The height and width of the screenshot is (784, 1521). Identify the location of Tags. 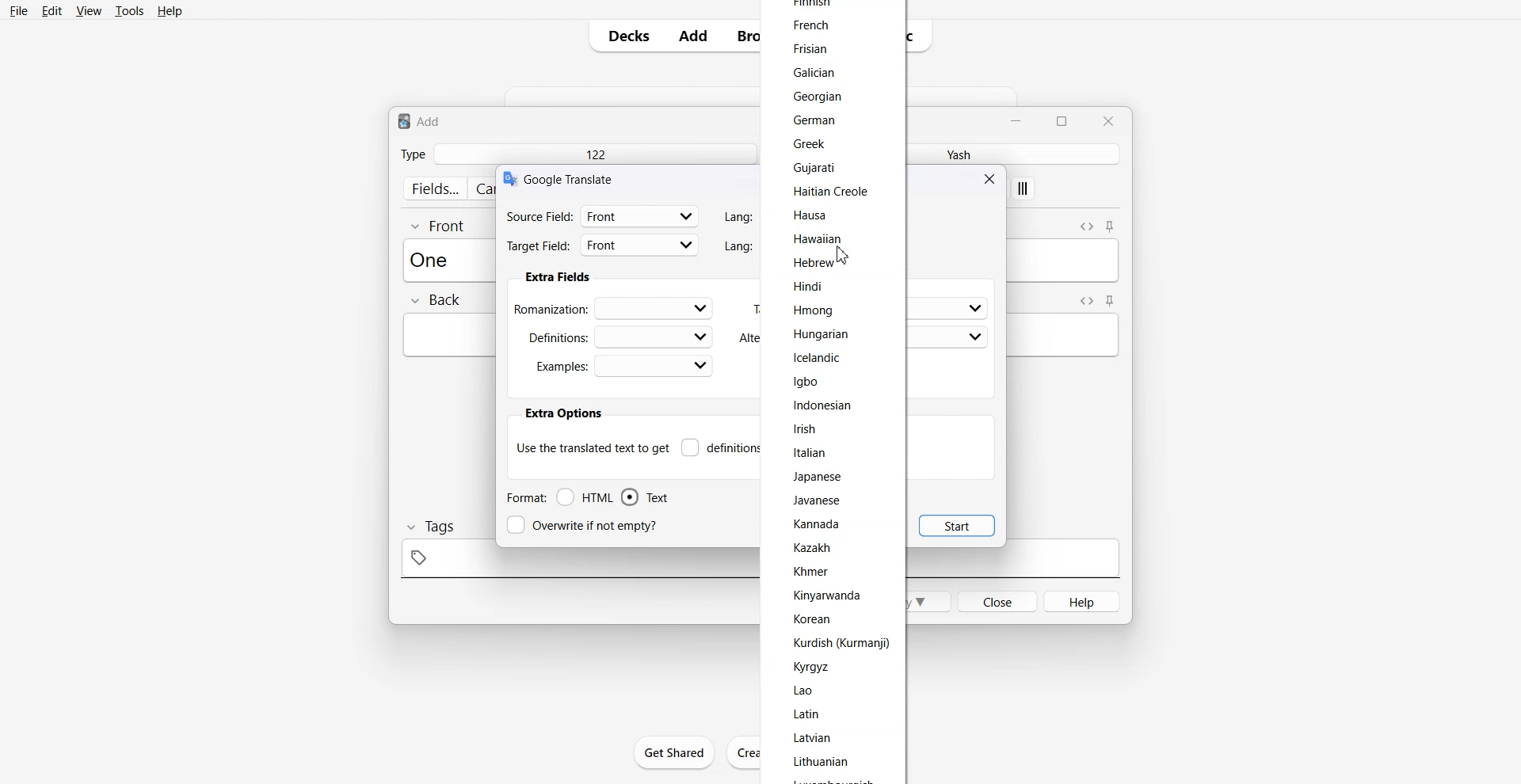
(429, 527).